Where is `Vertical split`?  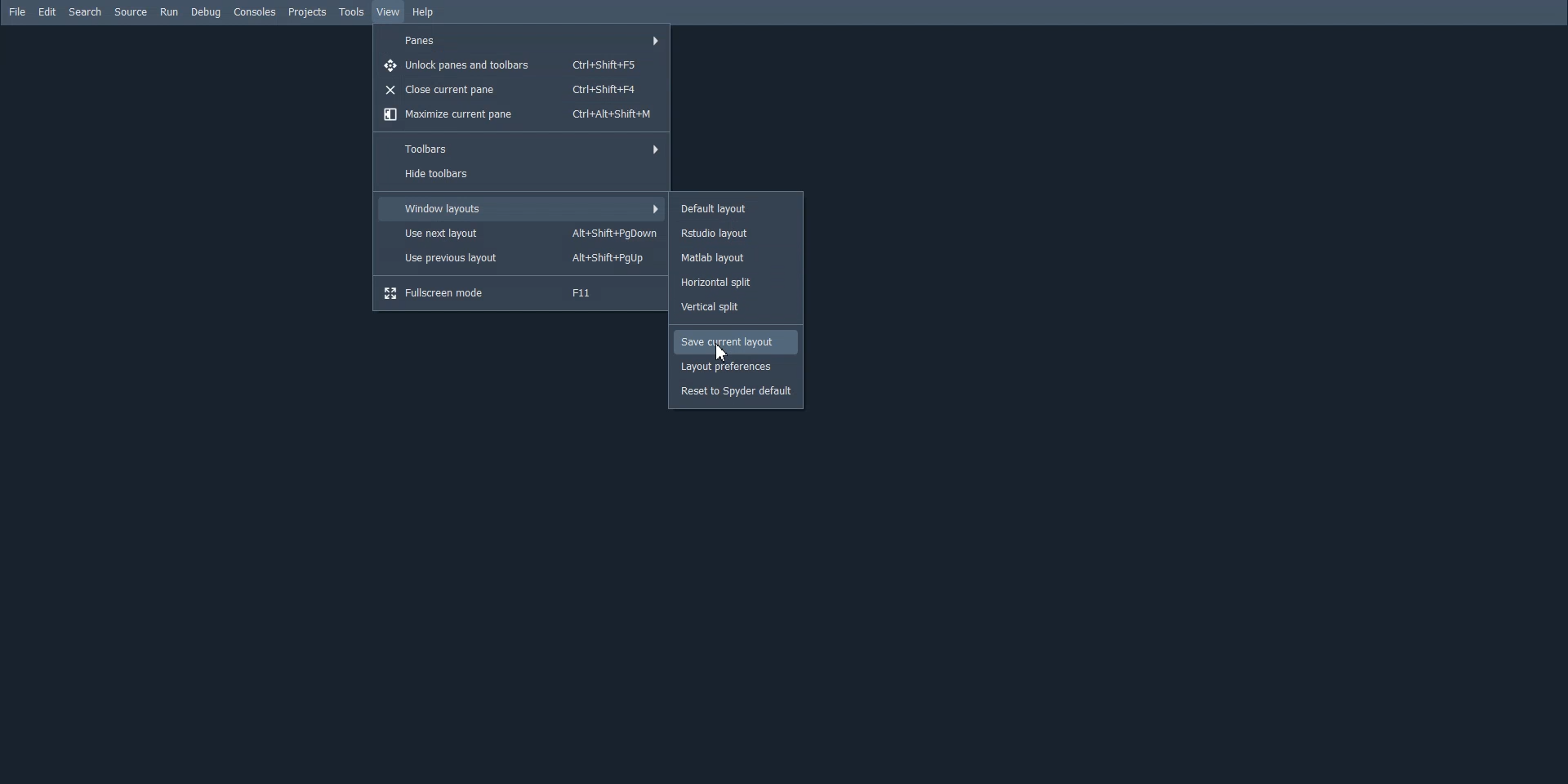 Vertical split is located at coordinates (736, 307).